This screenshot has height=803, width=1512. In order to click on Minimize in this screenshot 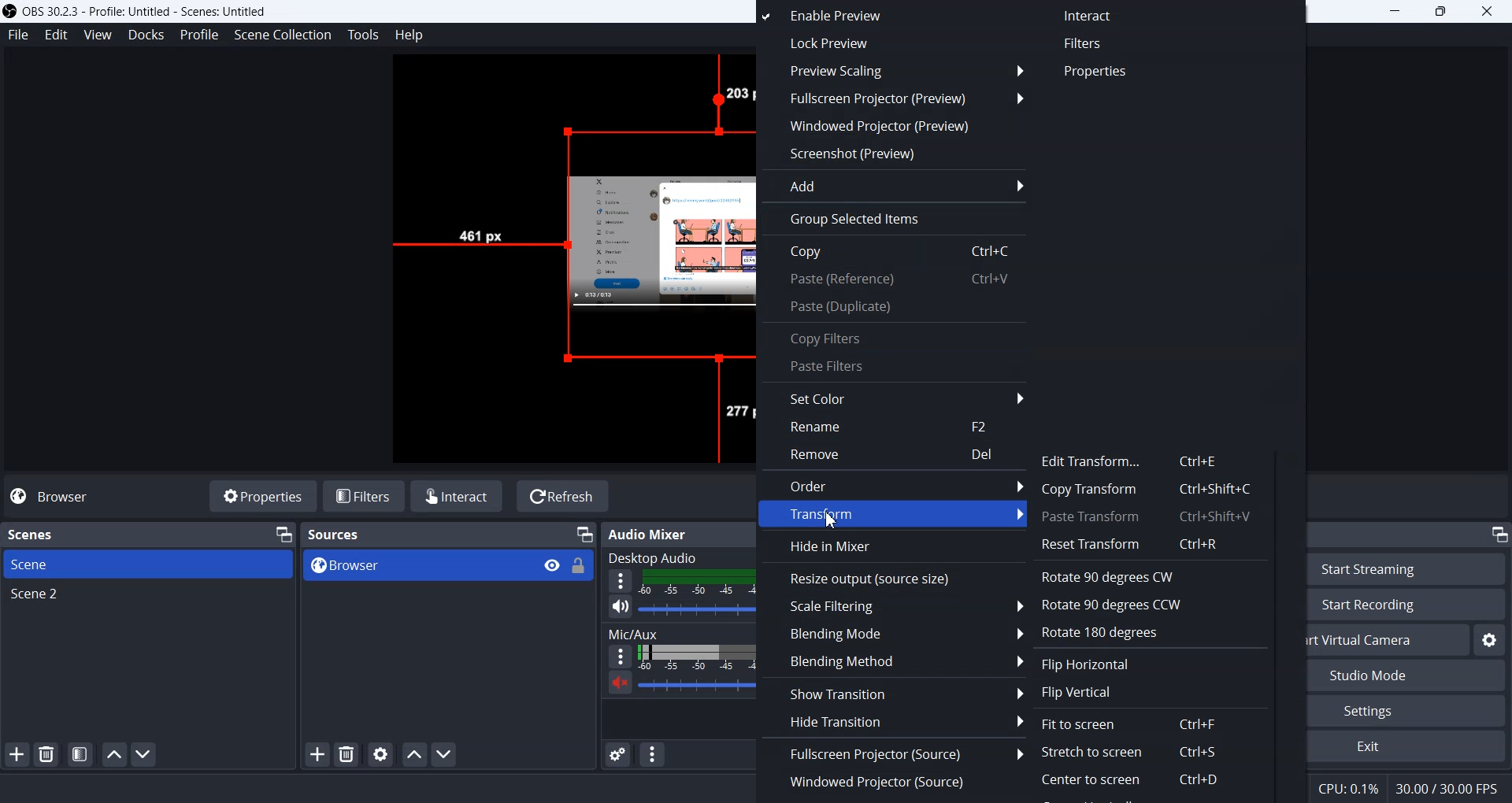, I will do `click(285, 534)`.